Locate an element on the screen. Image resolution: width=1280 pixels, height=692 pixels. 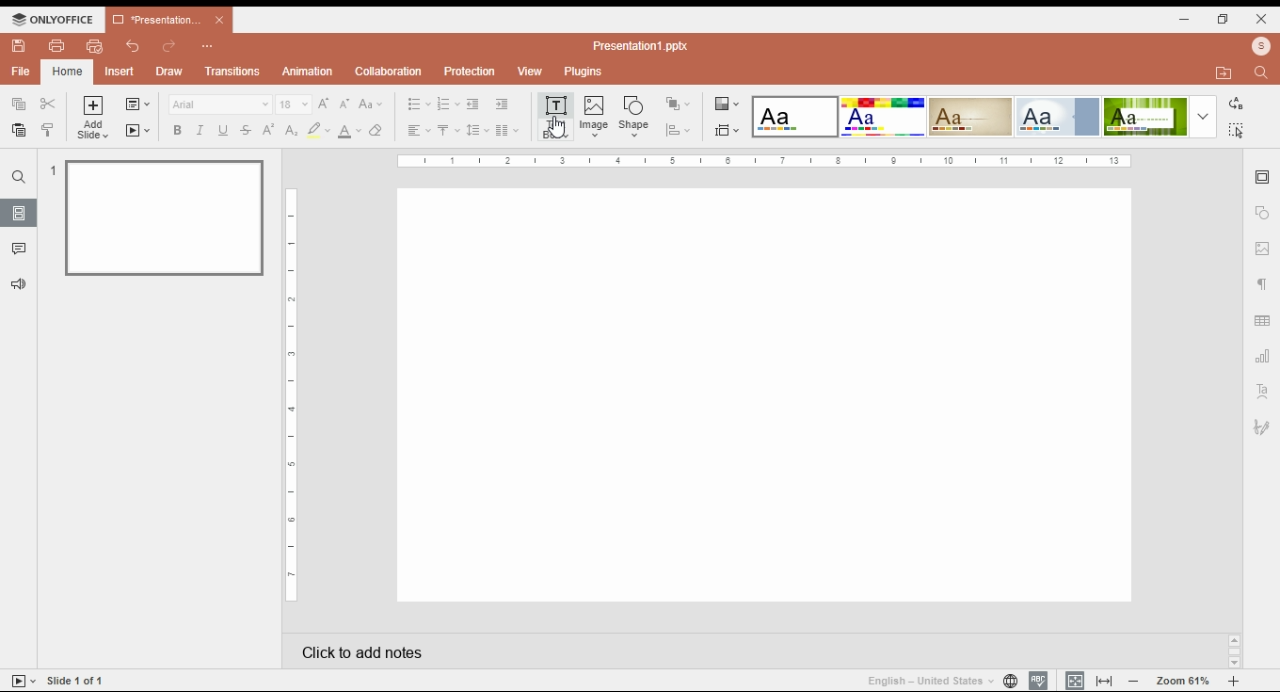
decrease indent is located at coordinates (473, 104).